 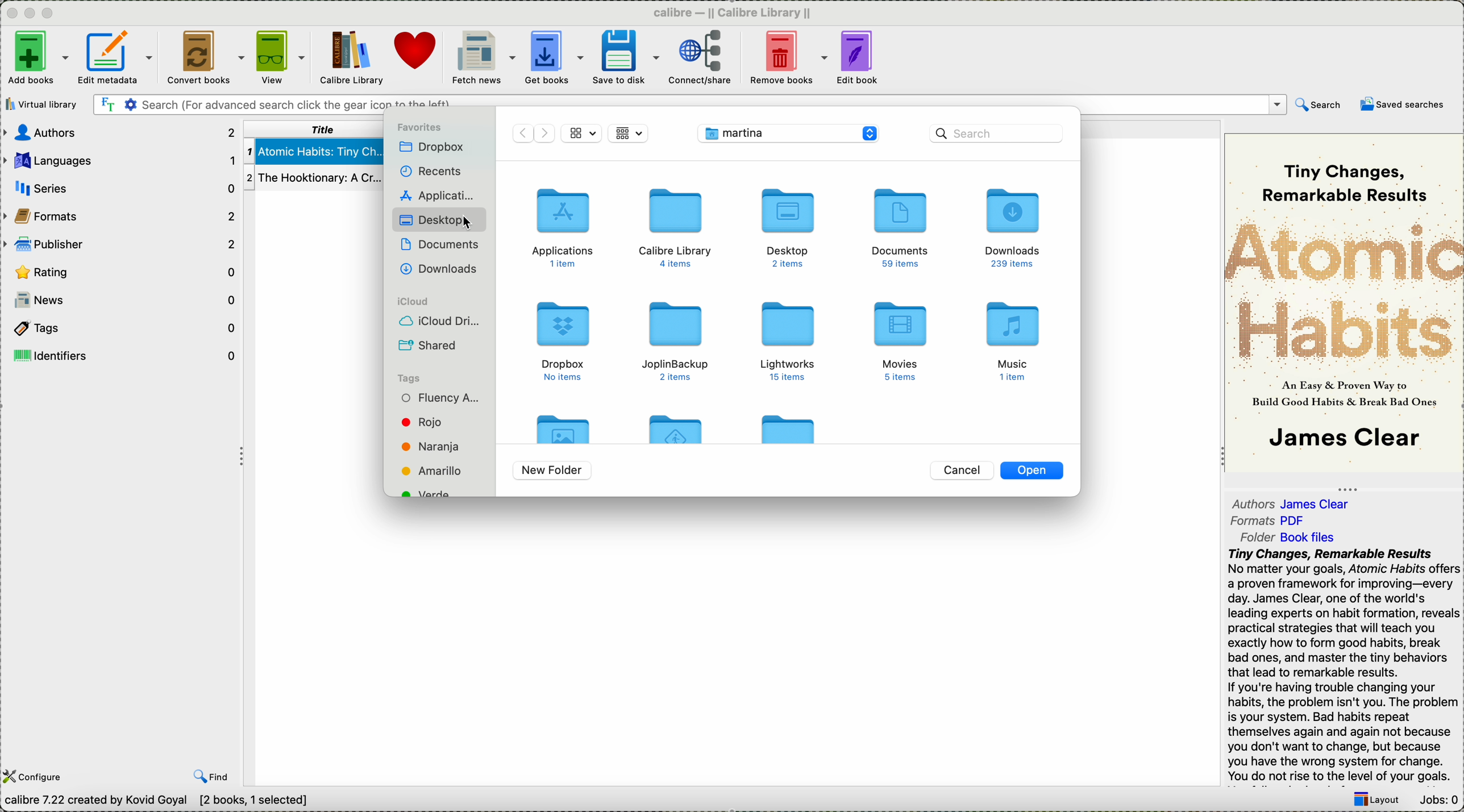 I want to click on tag, so click(x=432, y=446).